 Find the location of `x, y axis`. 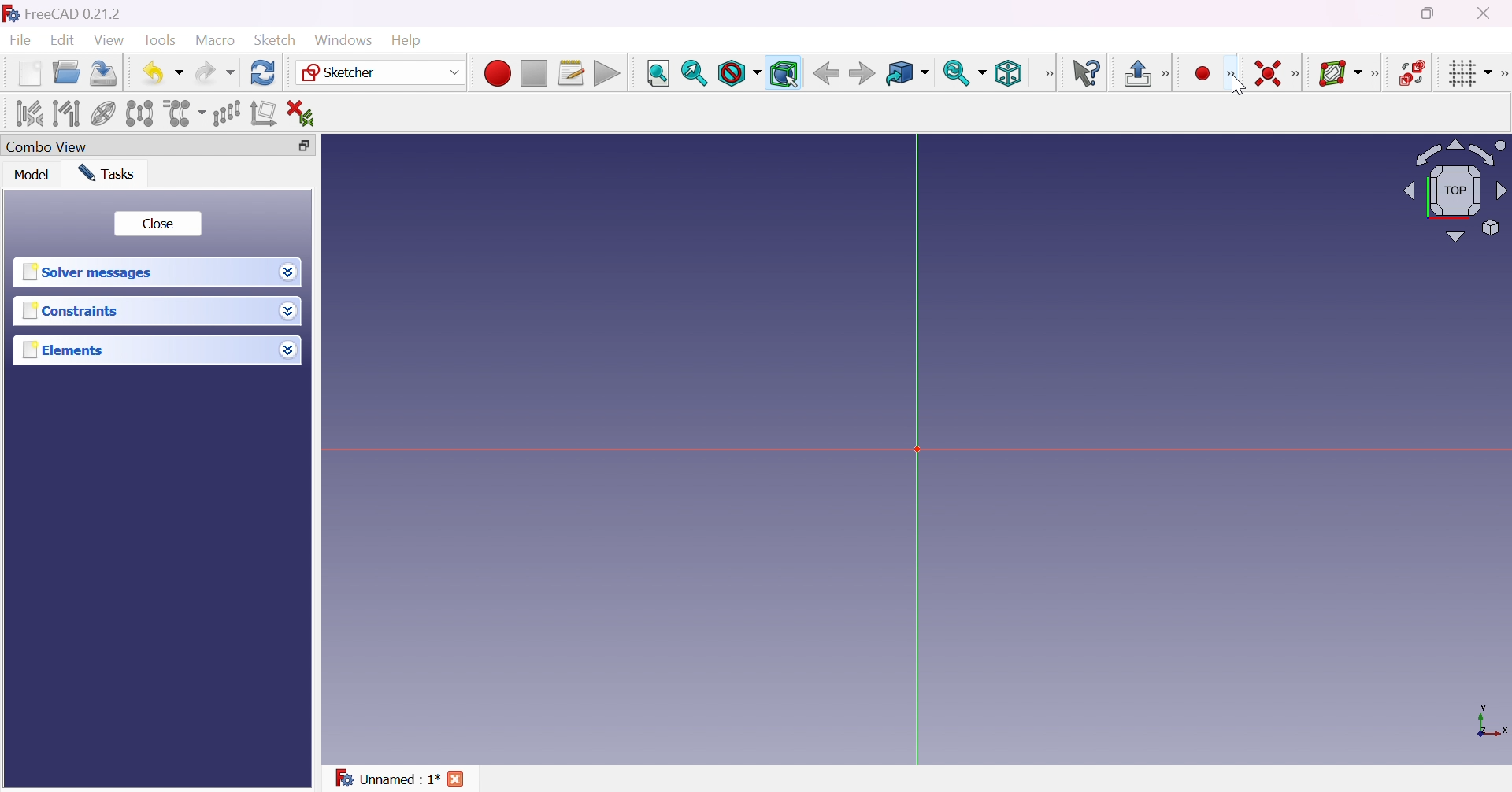

x, y axis is located at coordinates (1489, 724).